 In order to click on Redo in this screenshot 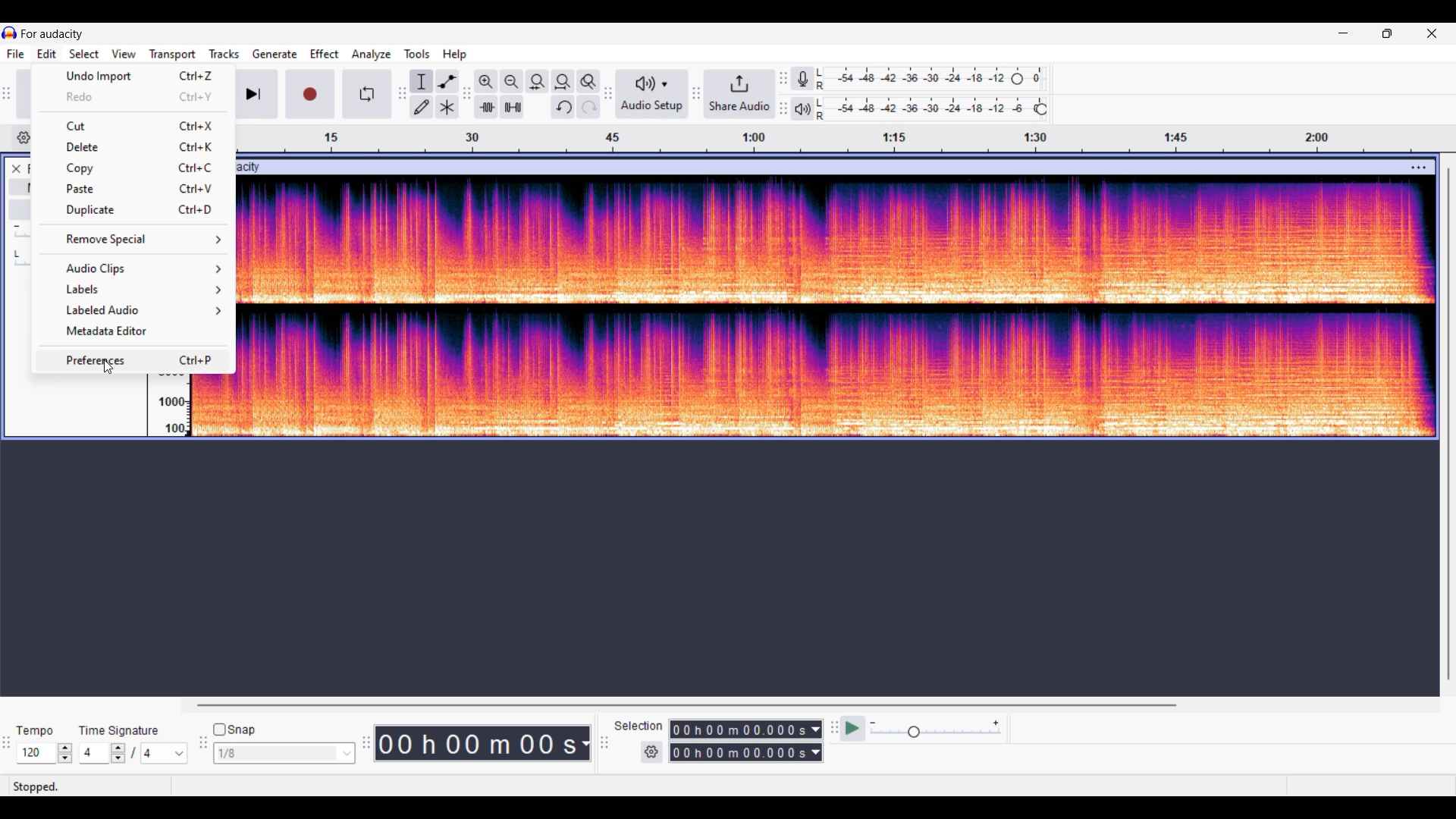, I will do `click(134, 99)`.